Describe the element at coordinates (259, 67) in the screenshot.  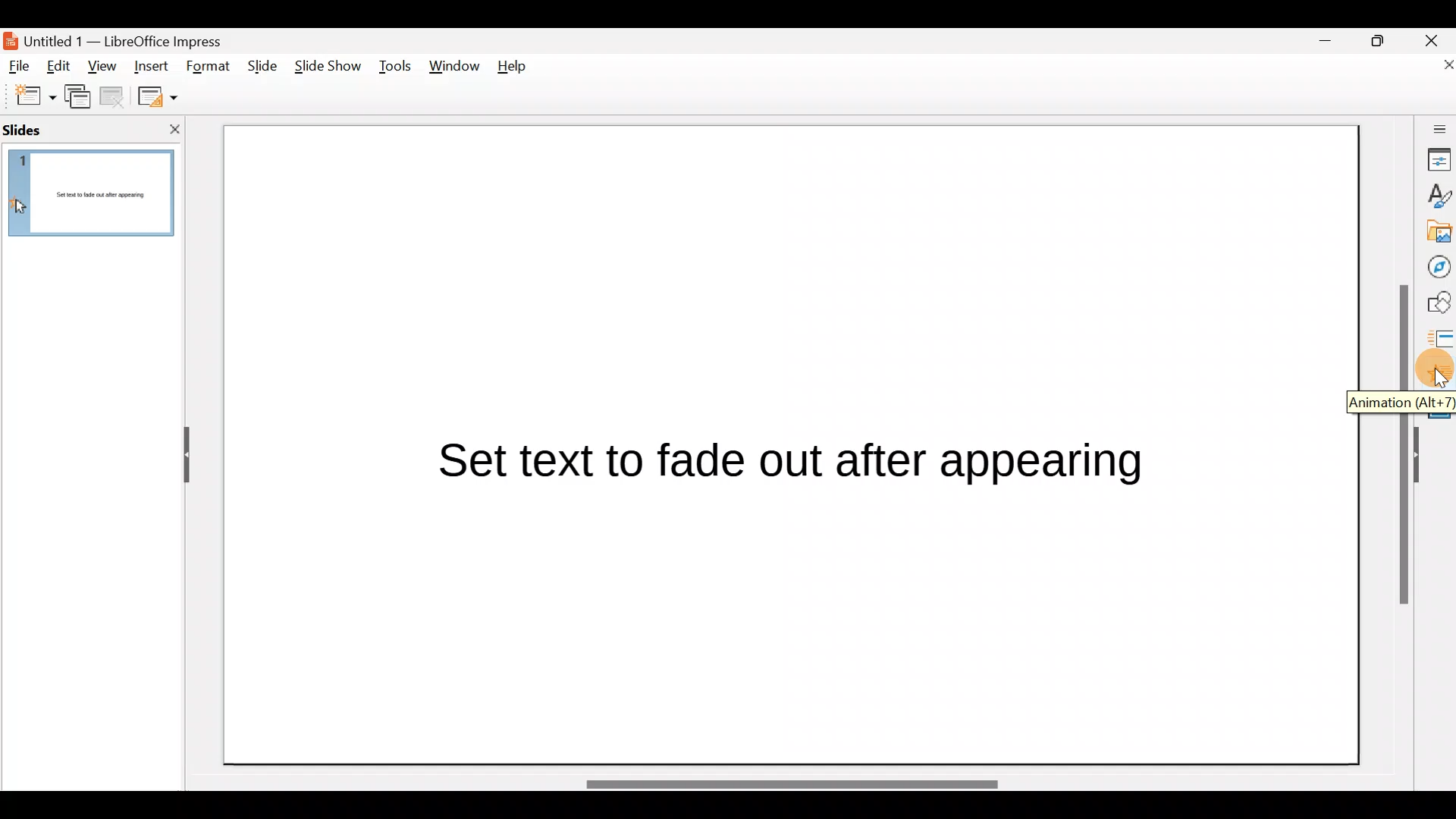
I see `Slide` at that location.